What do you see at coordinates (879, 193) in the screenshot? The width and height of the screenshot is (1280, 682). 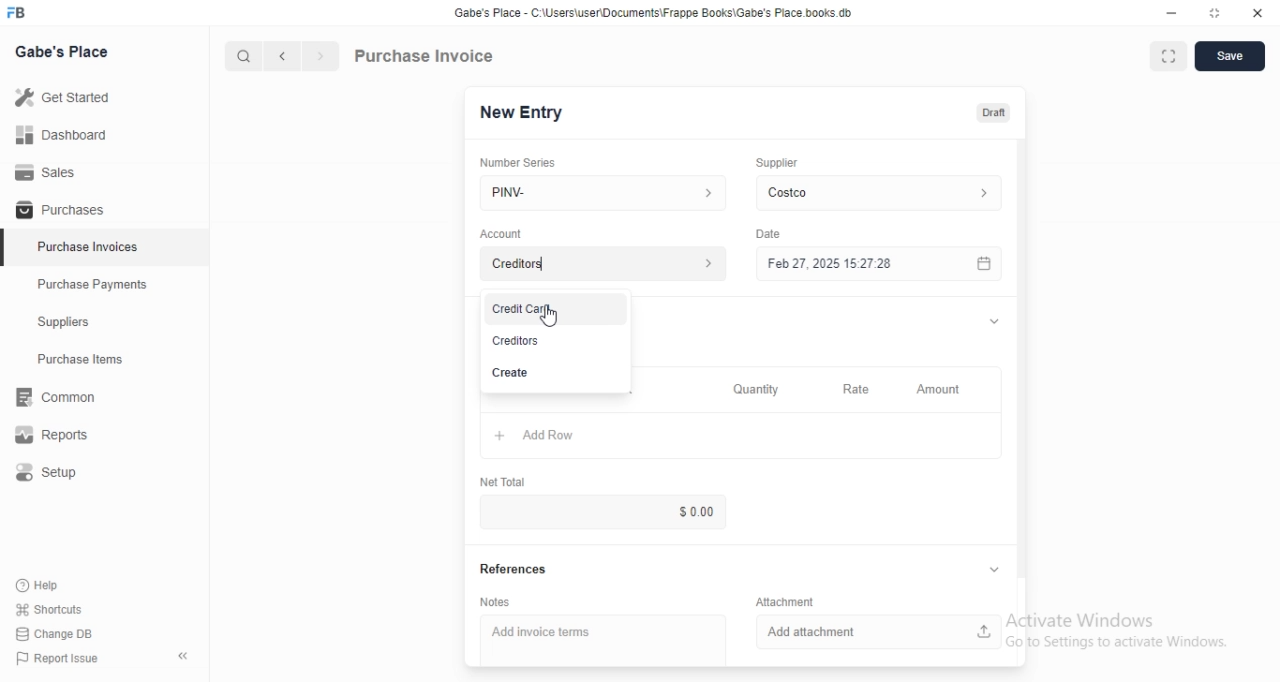 I see `Costco` at bounding box center [879, 193].